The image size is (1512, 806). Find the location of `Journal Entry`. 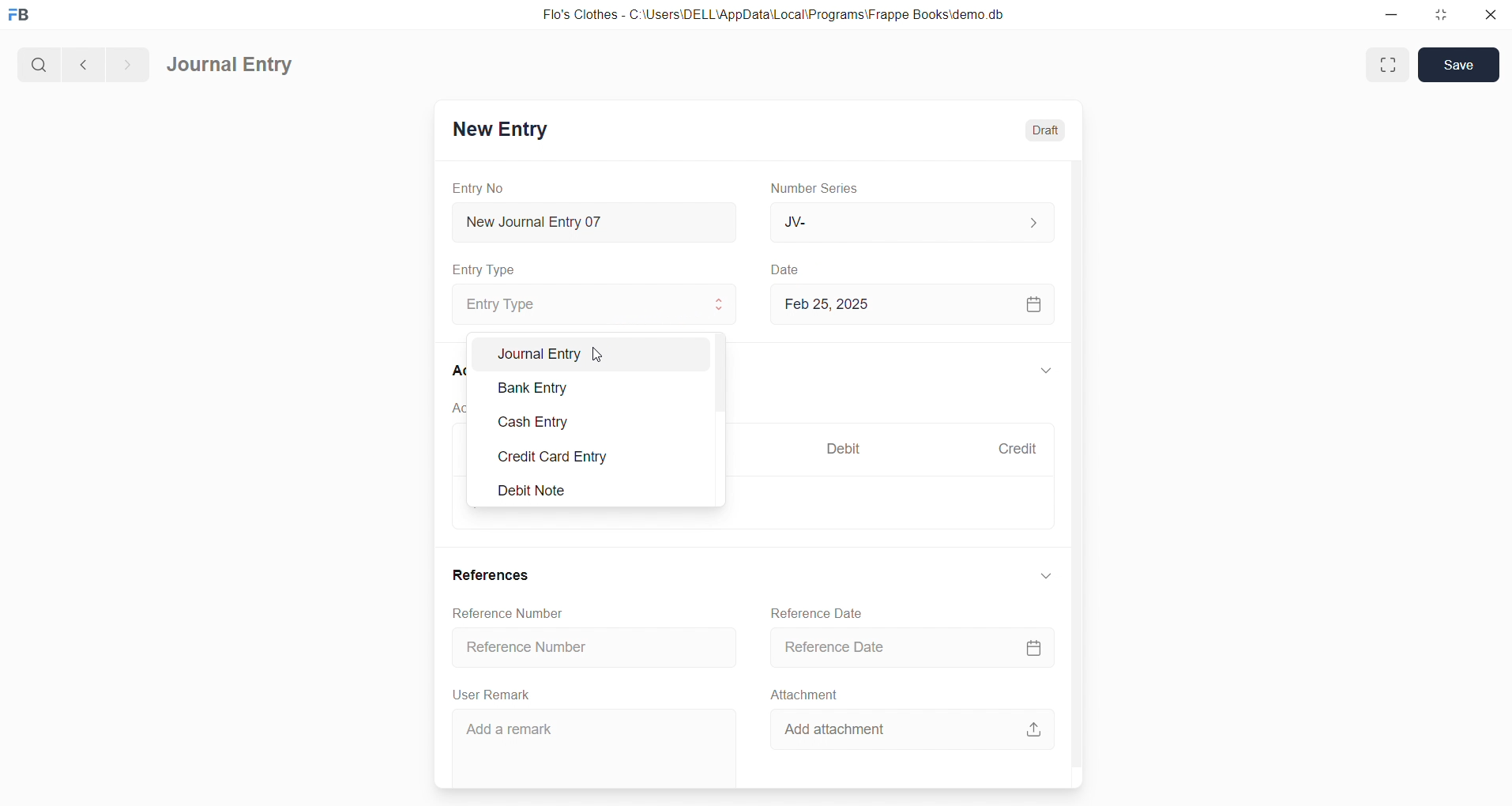

Journal Entry is located at coordinates (598, 353).